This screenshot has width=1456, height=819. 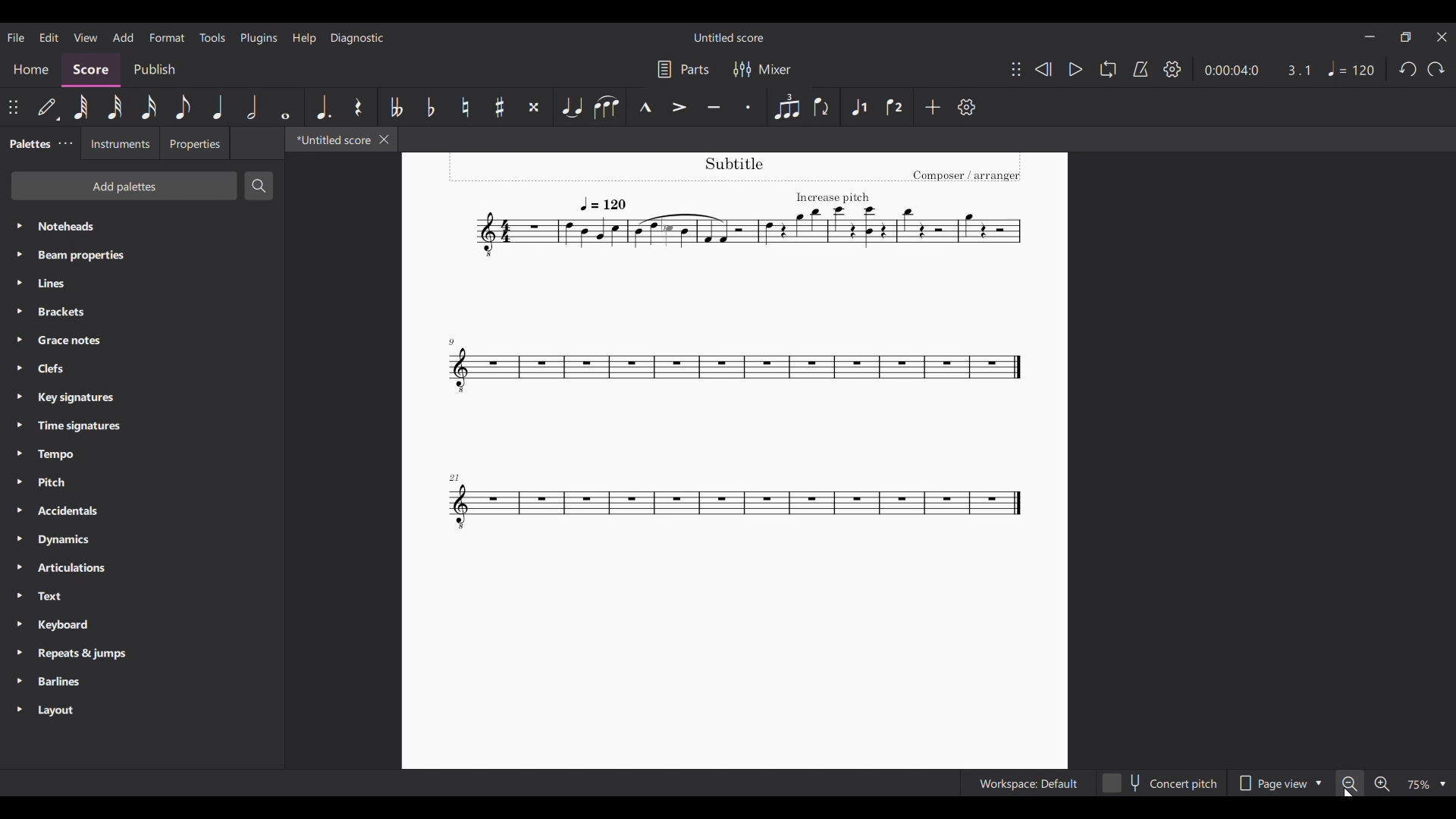 What do you see at coordinates (500, 107) in the screenshot?
I see `Toggle sharp` at bounding box center [500, 107].